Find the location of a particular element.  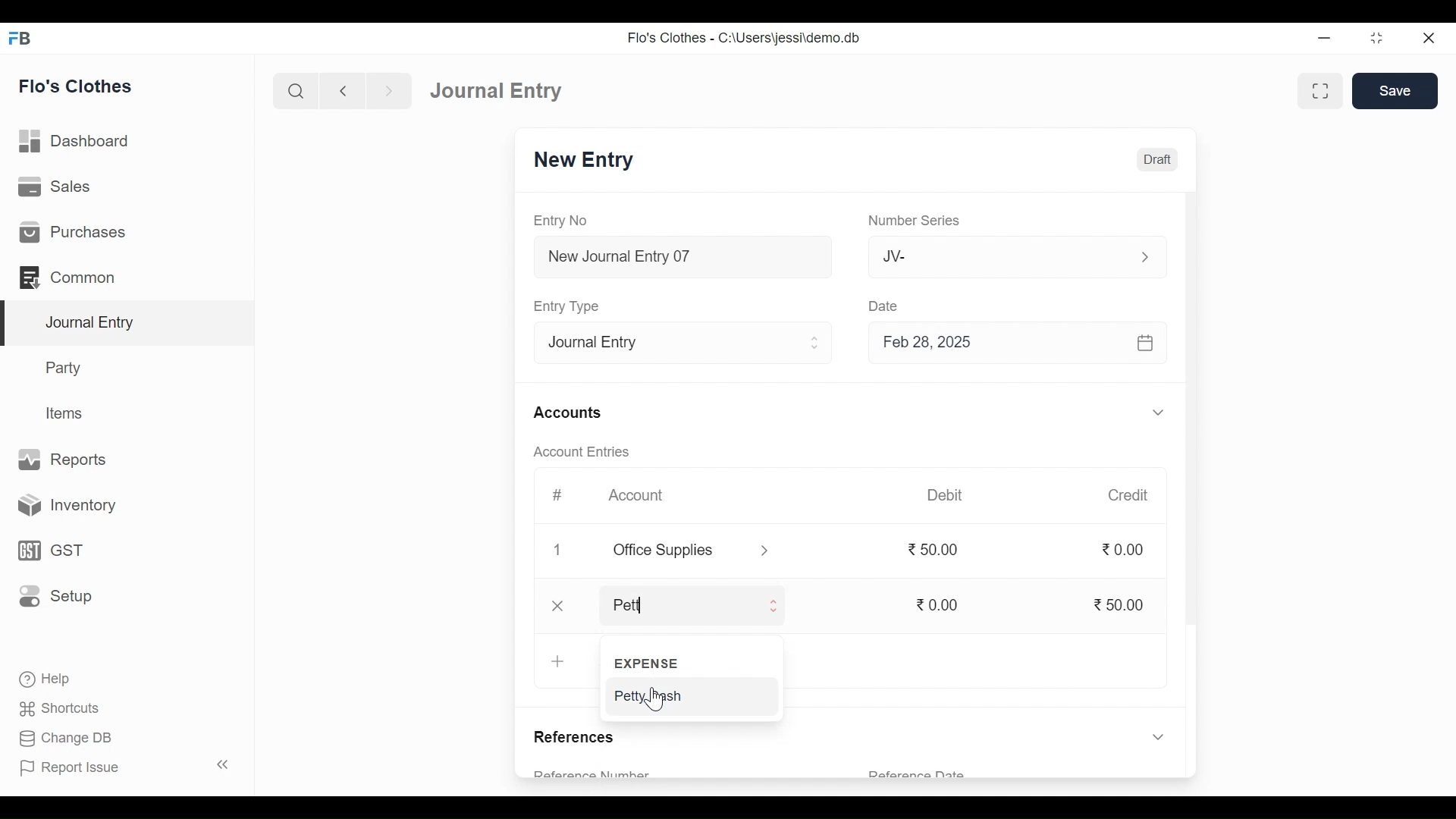

Draft is located at coordinates (1154, 160).